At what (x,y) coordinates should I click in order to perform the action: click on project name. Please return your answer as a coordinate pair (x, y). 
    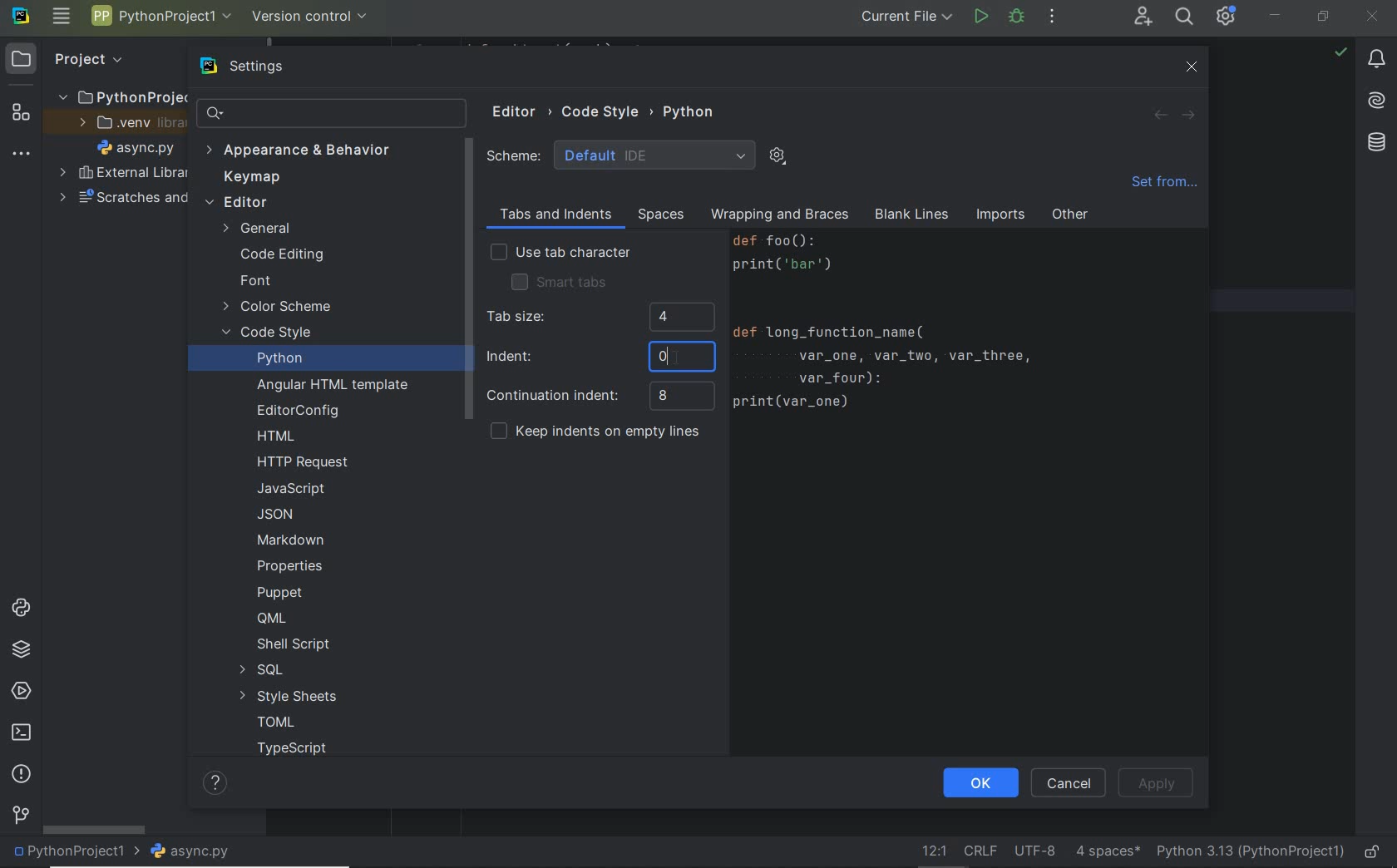
    Looking at the image, I should click on (75, 853).